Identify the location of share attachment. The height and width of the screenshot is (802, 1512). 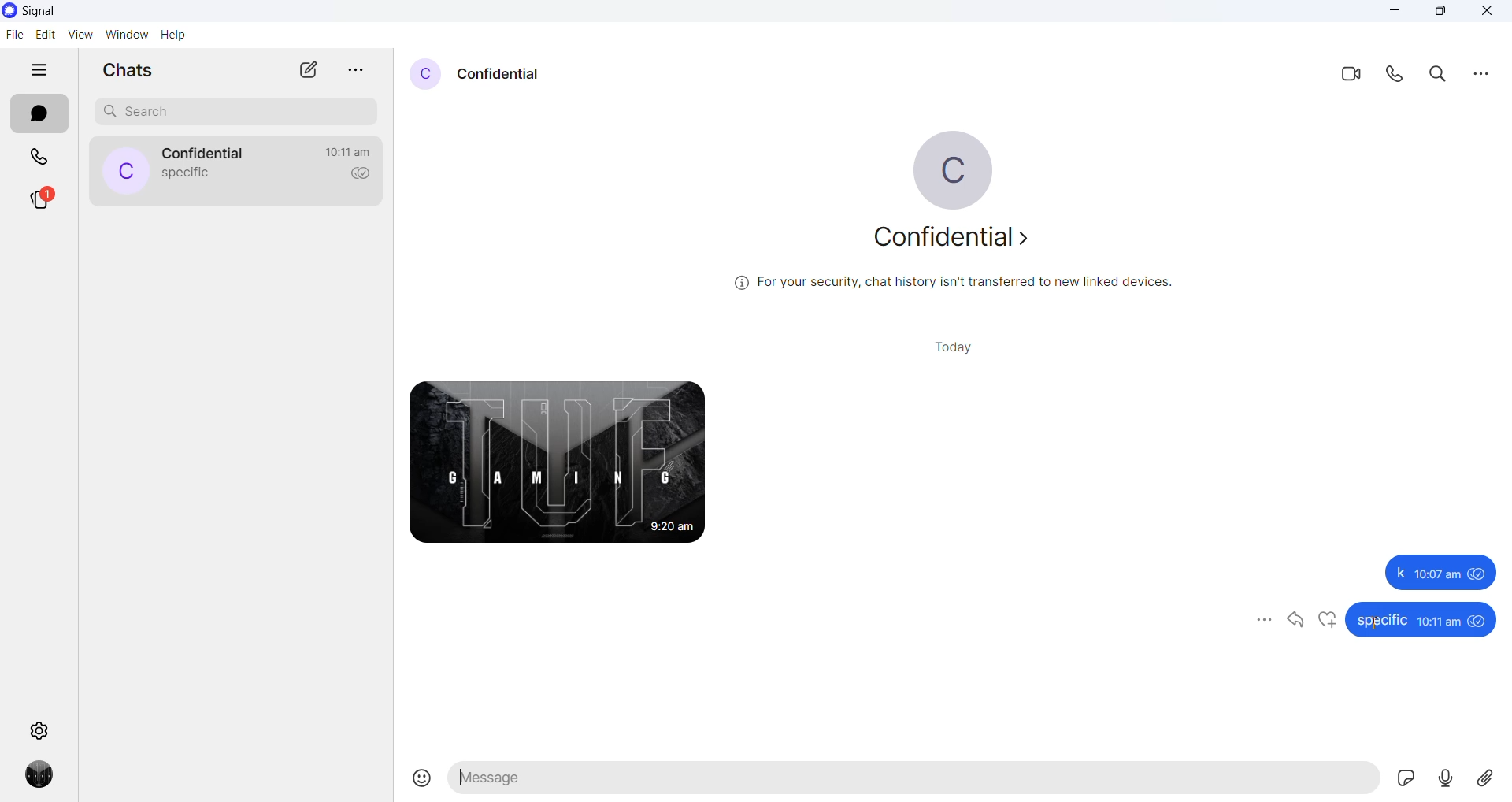
(1489, 778).